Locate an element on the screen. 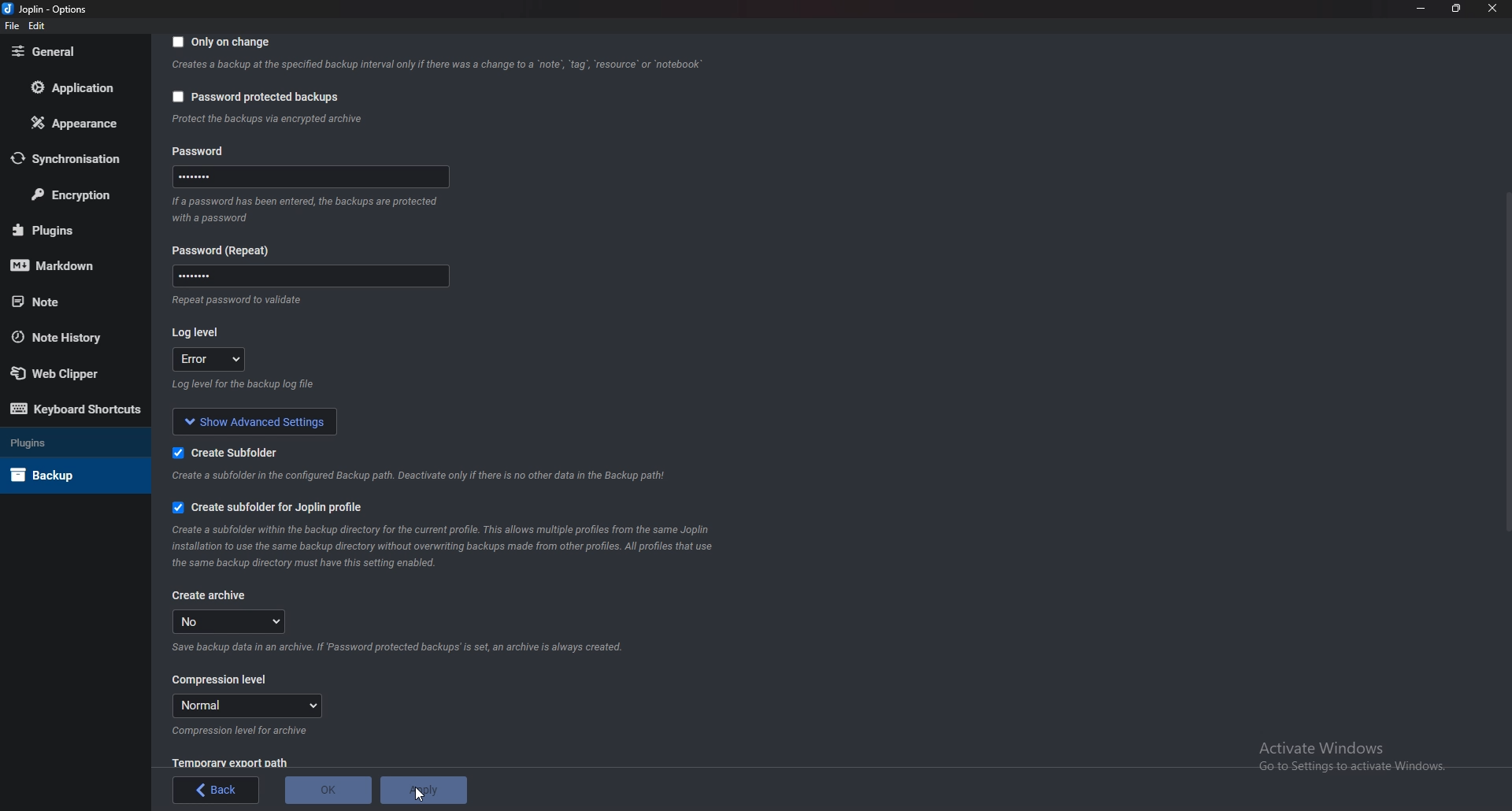 This screenshot has width=1512, height=811. minimize is located at coordinates (1421, 8).